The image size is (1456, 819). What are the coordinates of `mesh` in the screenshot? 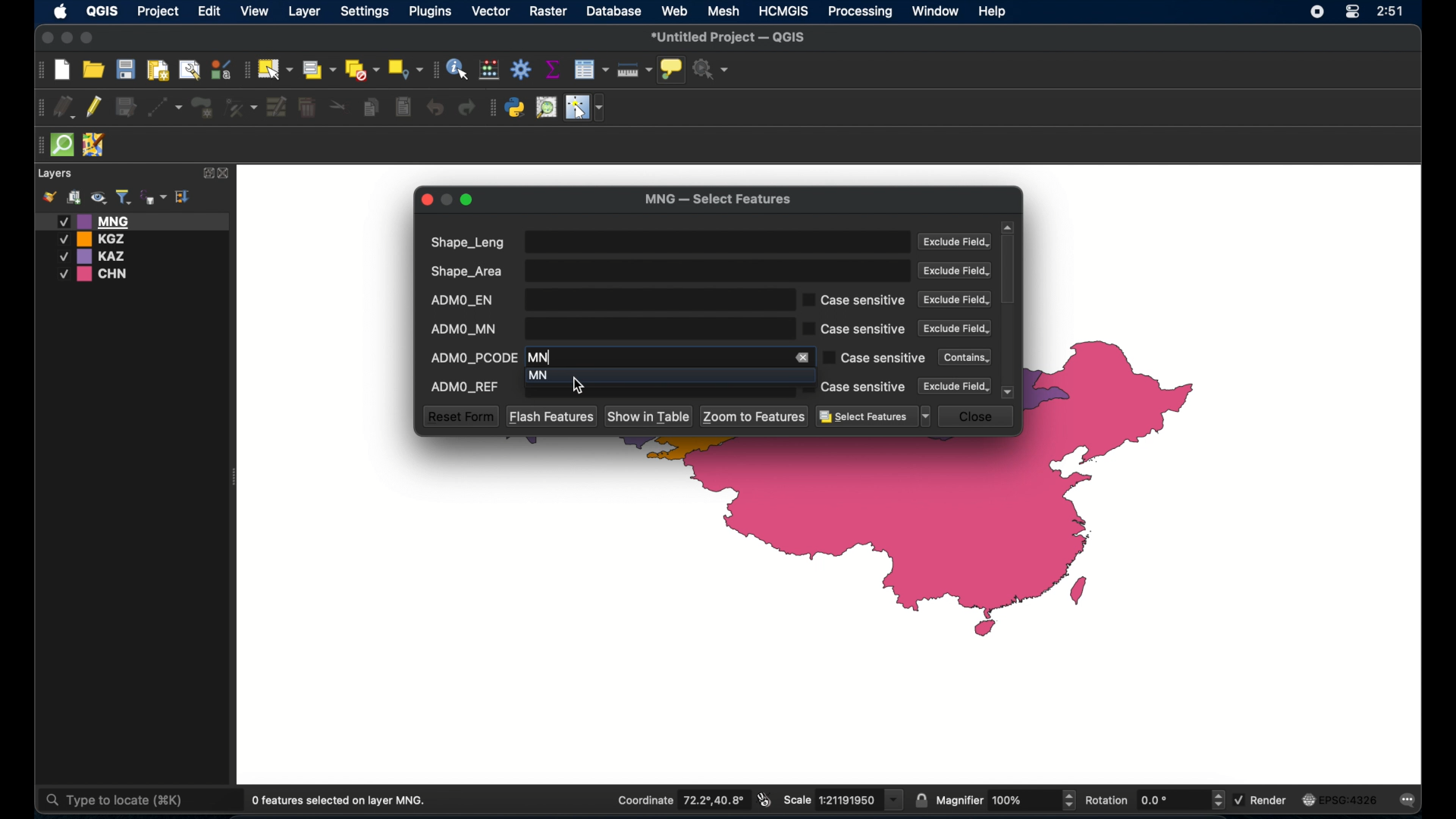 It's located at (725, 11).